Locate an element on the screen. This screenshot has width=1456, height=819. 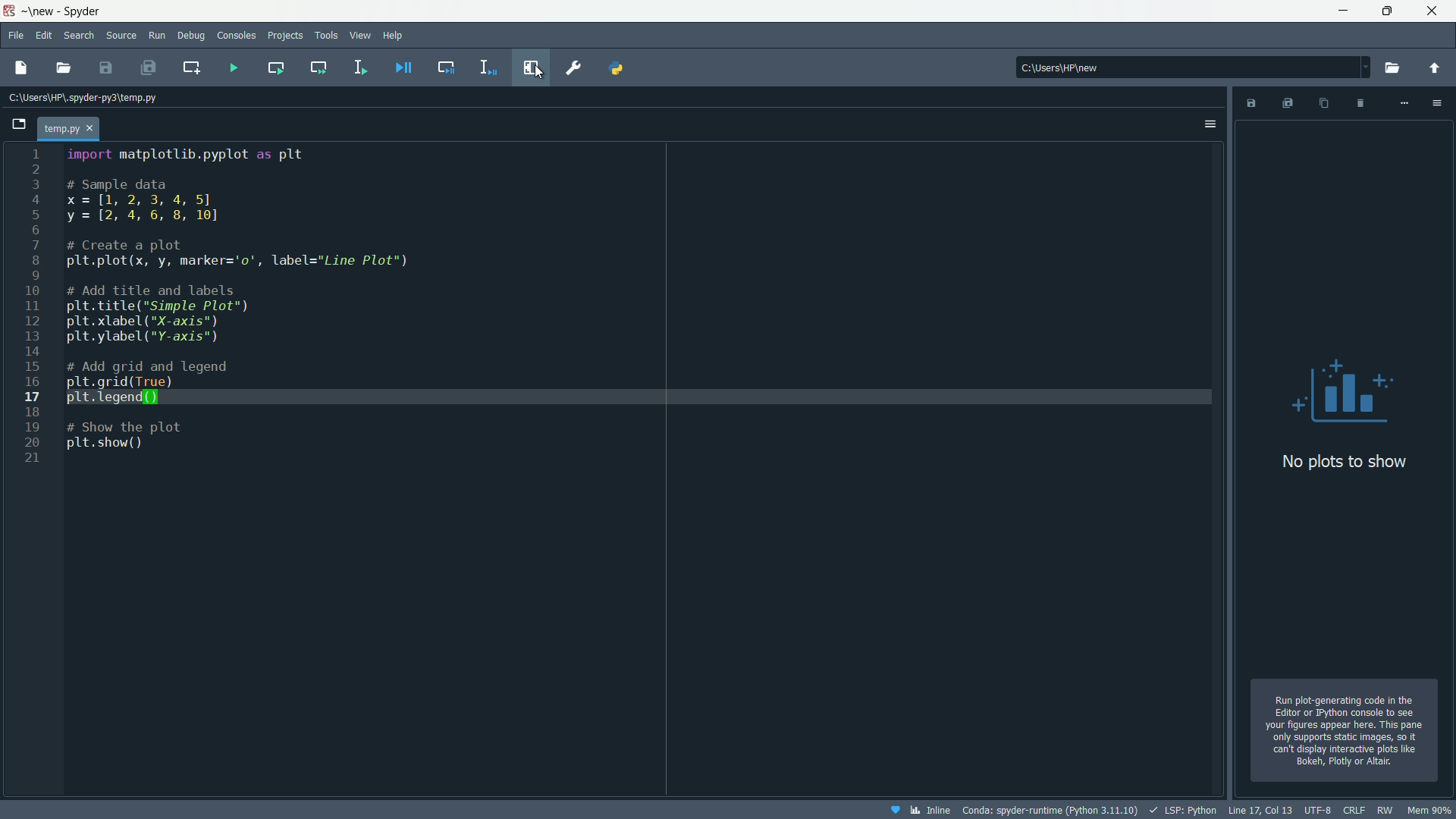
app icon is located at coordinates (10, 12).